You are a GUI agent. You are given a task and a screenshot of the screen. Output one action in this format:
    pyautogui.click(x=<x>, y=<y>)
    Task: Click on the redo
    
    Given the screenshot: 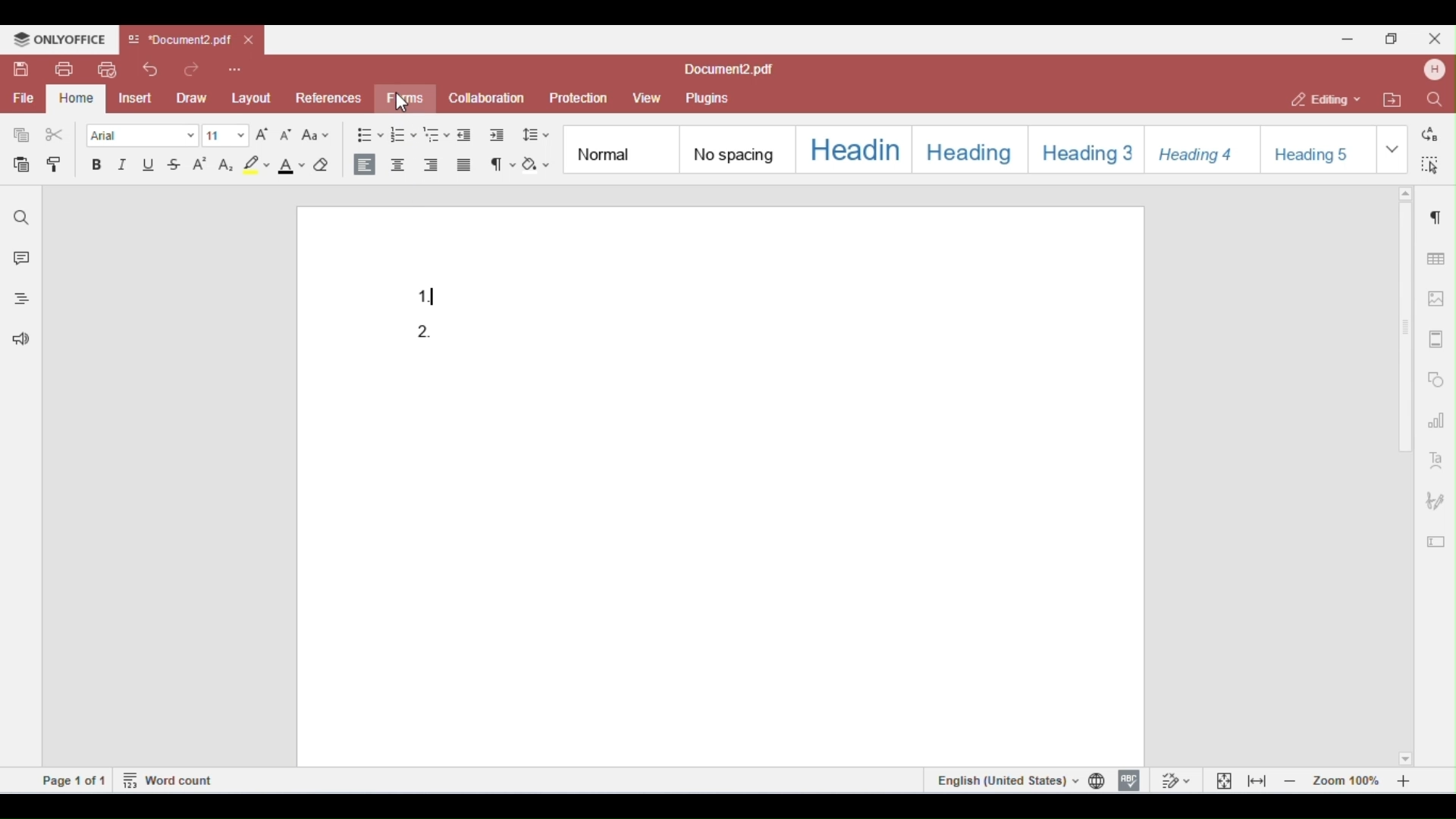 What is the action you would take?
    pyautogui.click(x=195, y=68)
    